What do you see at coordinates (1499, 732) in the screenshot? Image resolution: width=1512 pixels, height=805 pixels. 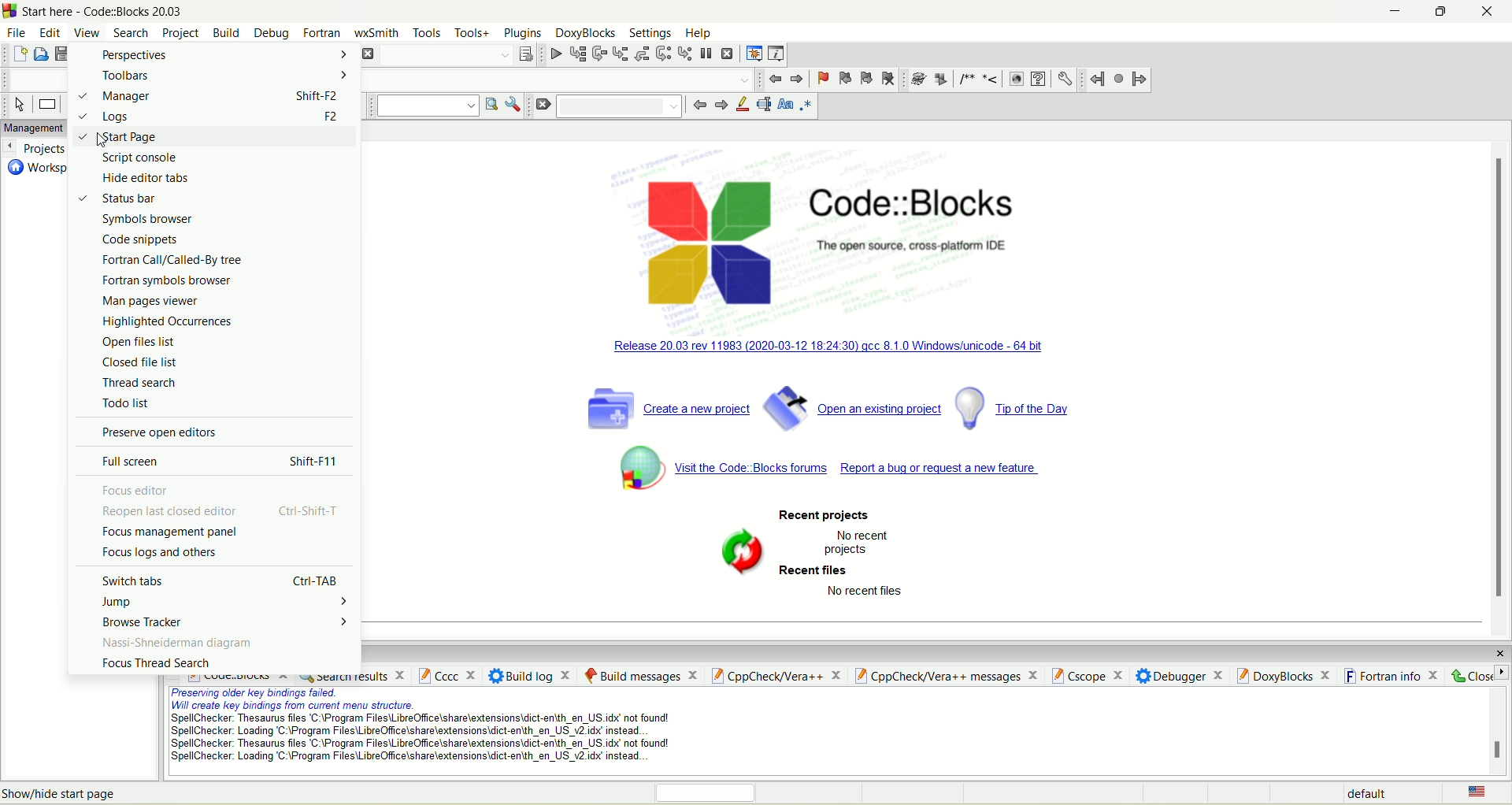 I see `vertical scroll bar` at bounding box center [1499, 732].